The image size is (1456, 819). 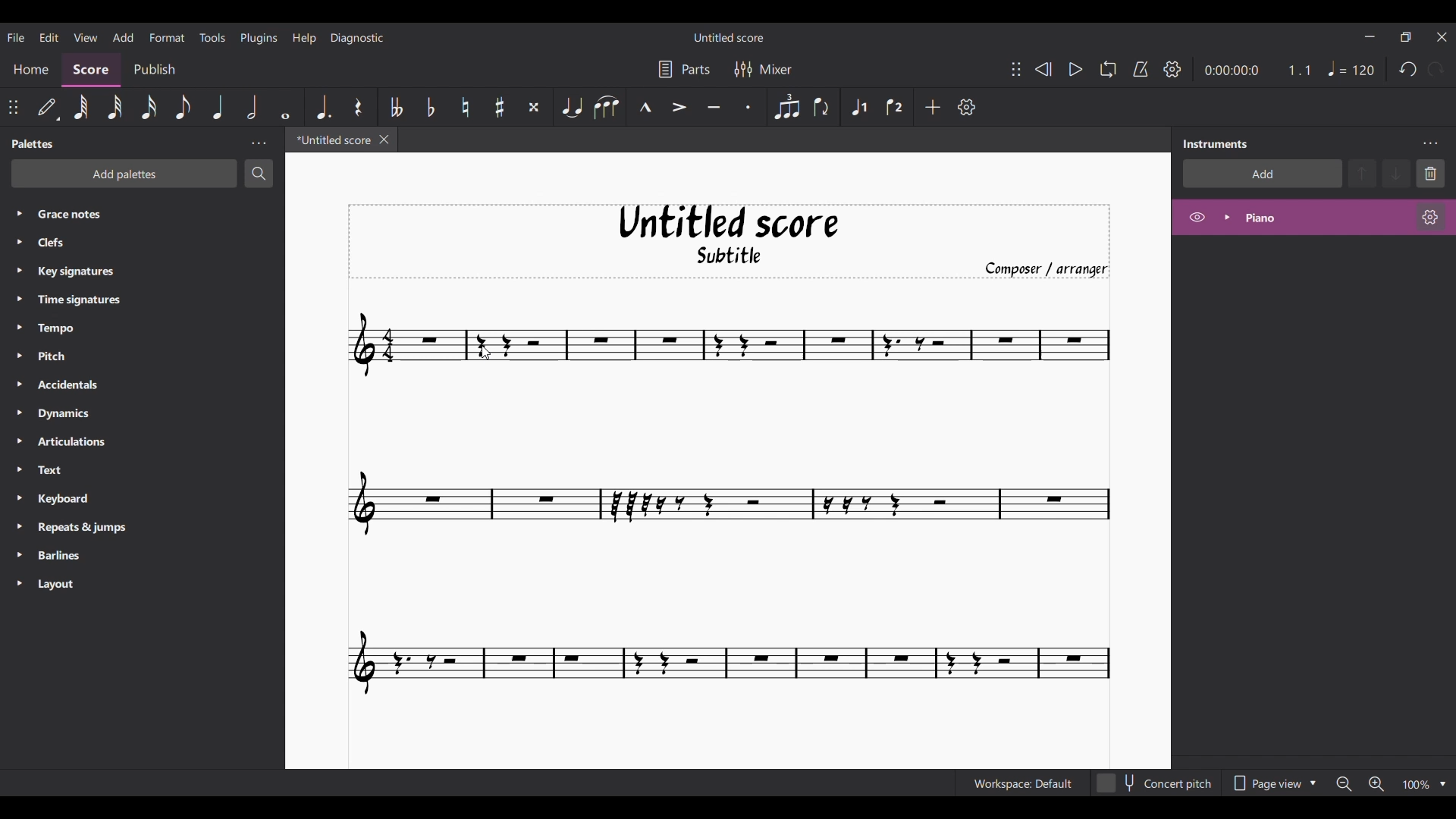 I want to click on Redo, so click(x=1437, y=69).